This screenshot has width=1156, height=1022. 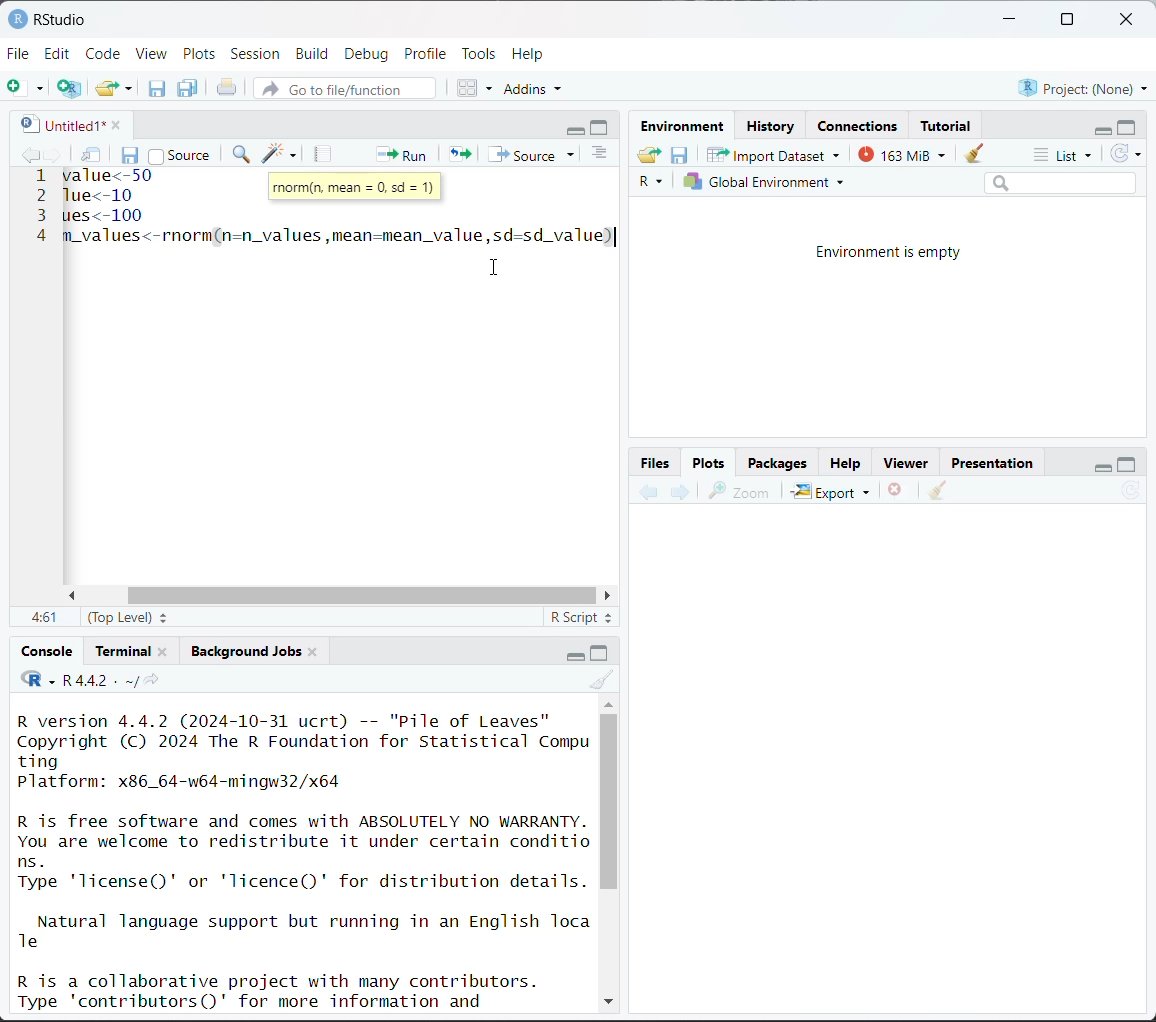 What do you see at coordinates (530, 53) in the screenshot?
I see `Help` at bounding box center [530, 53].